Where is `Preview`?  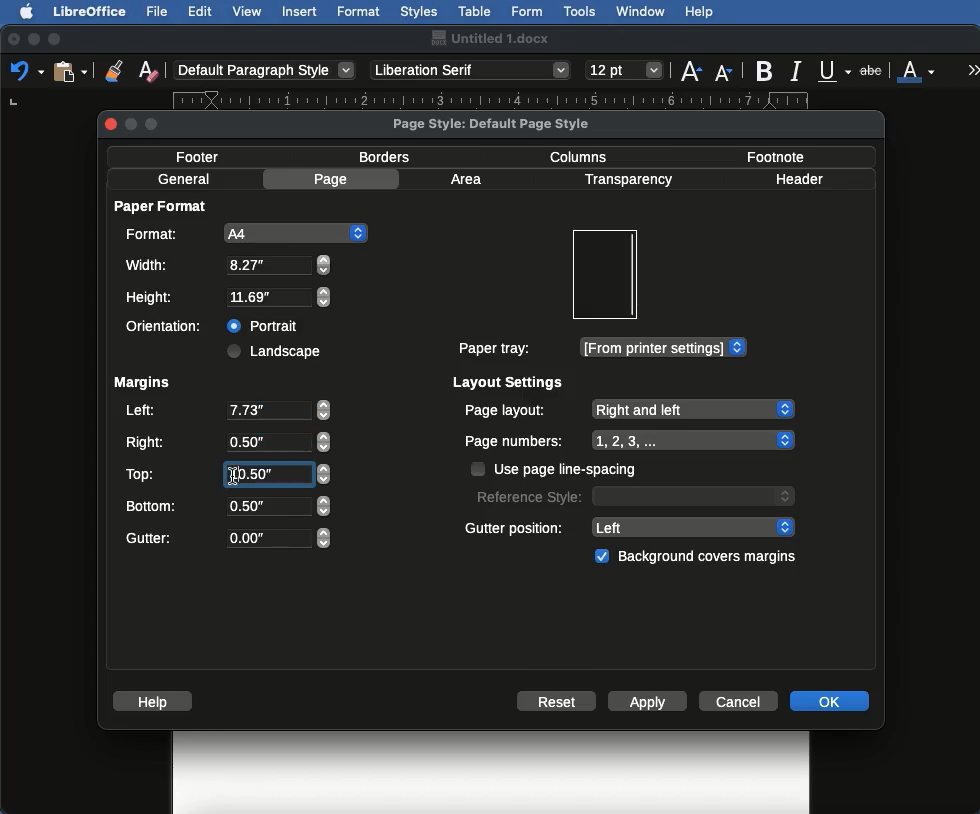
Preview is located at coordinates (604, 275).